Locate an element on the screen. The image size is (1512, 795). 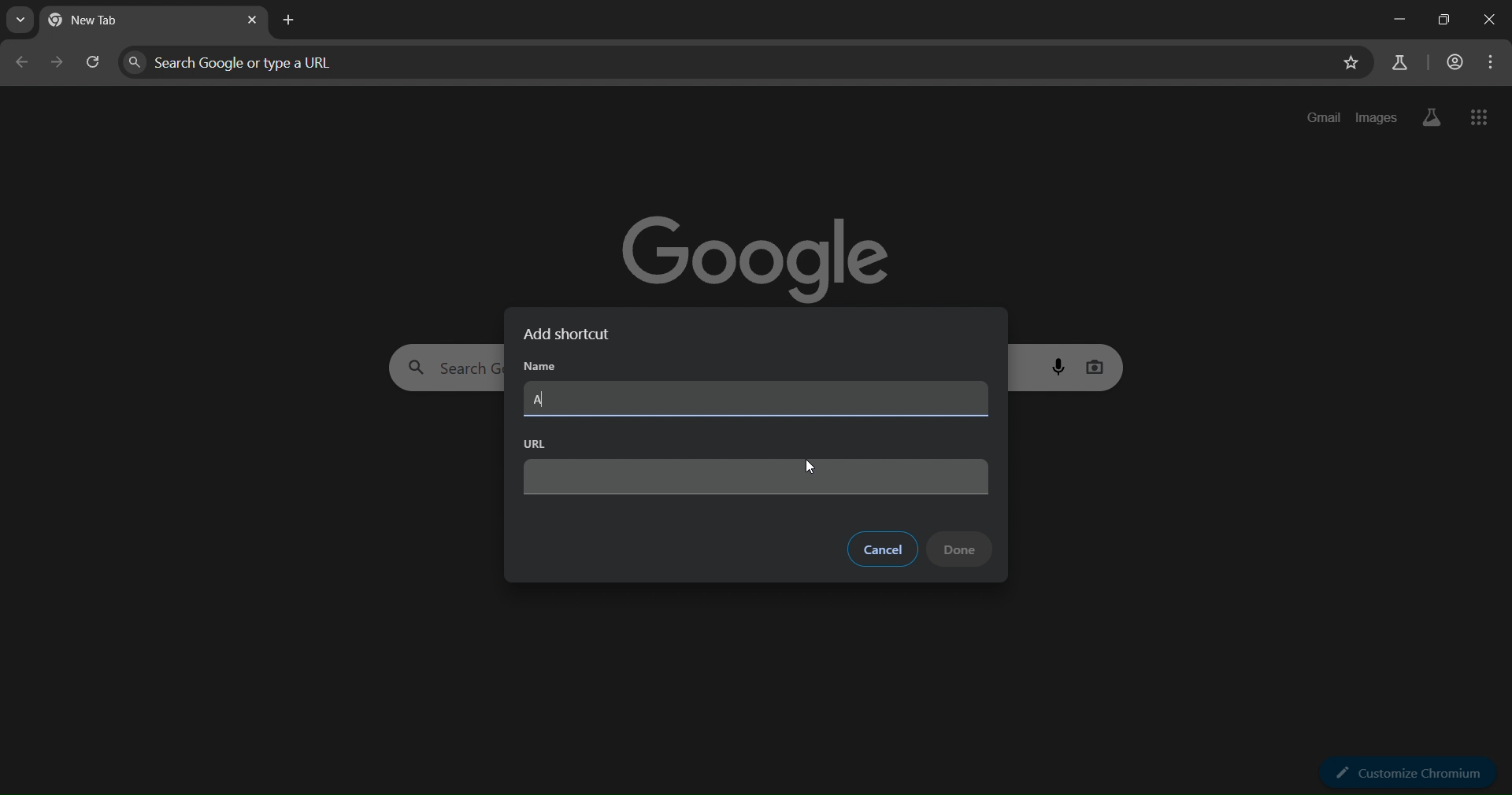
add shortcut is located at coordinates (574, 335).